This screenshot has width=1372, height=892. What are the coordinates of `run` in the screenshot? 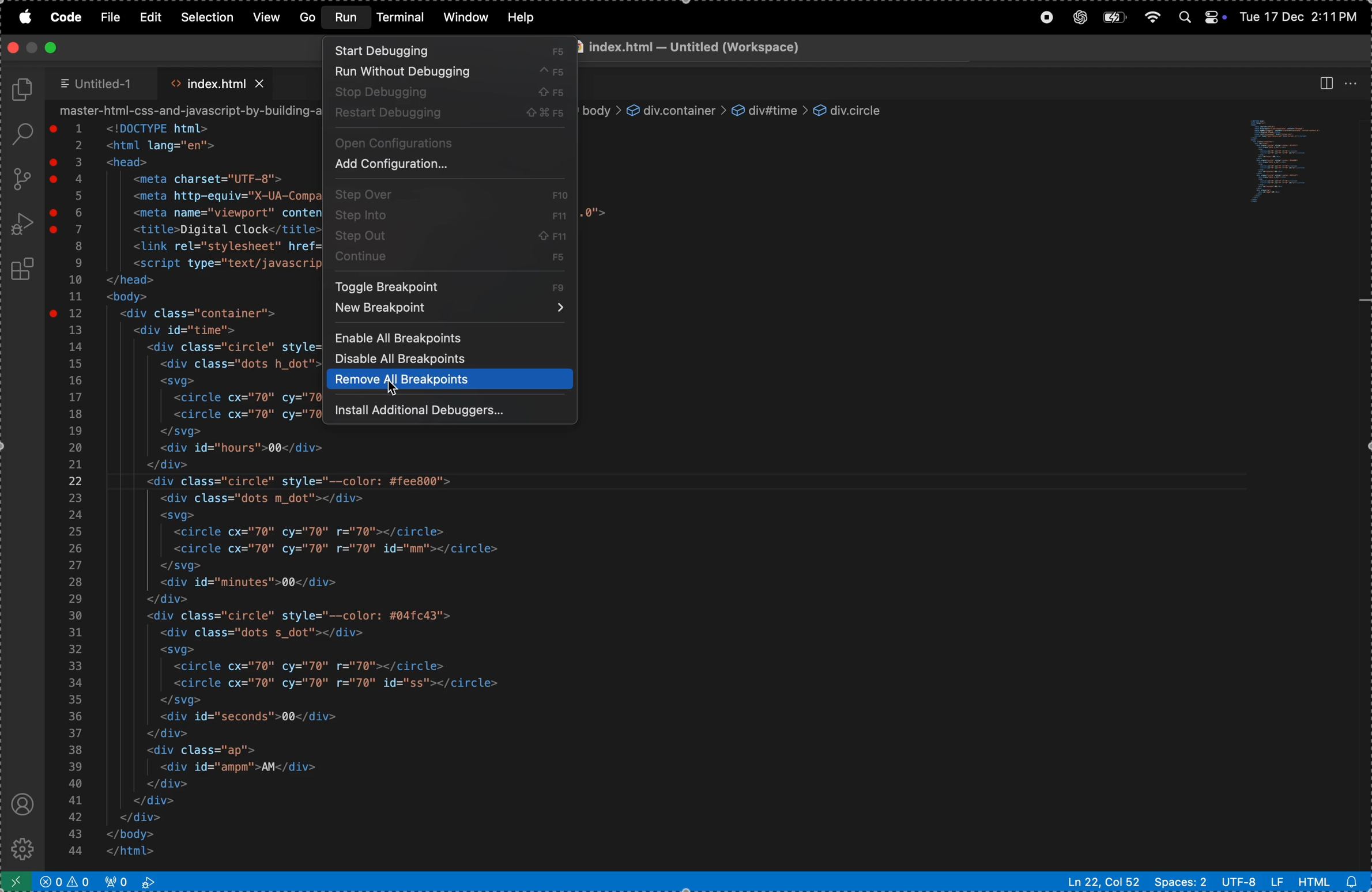 It's located at (346, 17).